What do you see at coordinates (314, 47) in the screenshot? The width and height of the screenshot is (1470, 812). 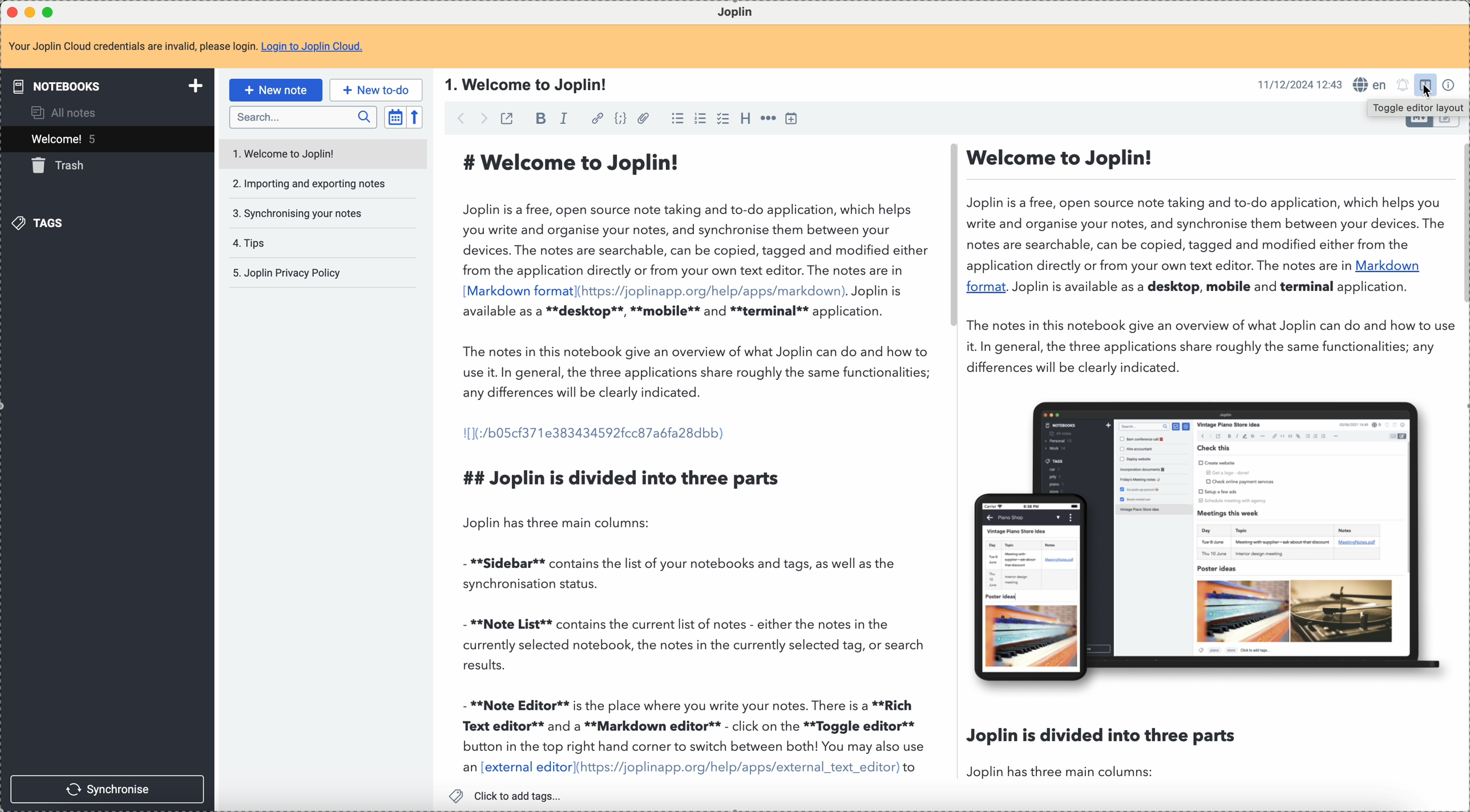 I see `Login to Joplin Cloud.` at bounding box center [314, 47].